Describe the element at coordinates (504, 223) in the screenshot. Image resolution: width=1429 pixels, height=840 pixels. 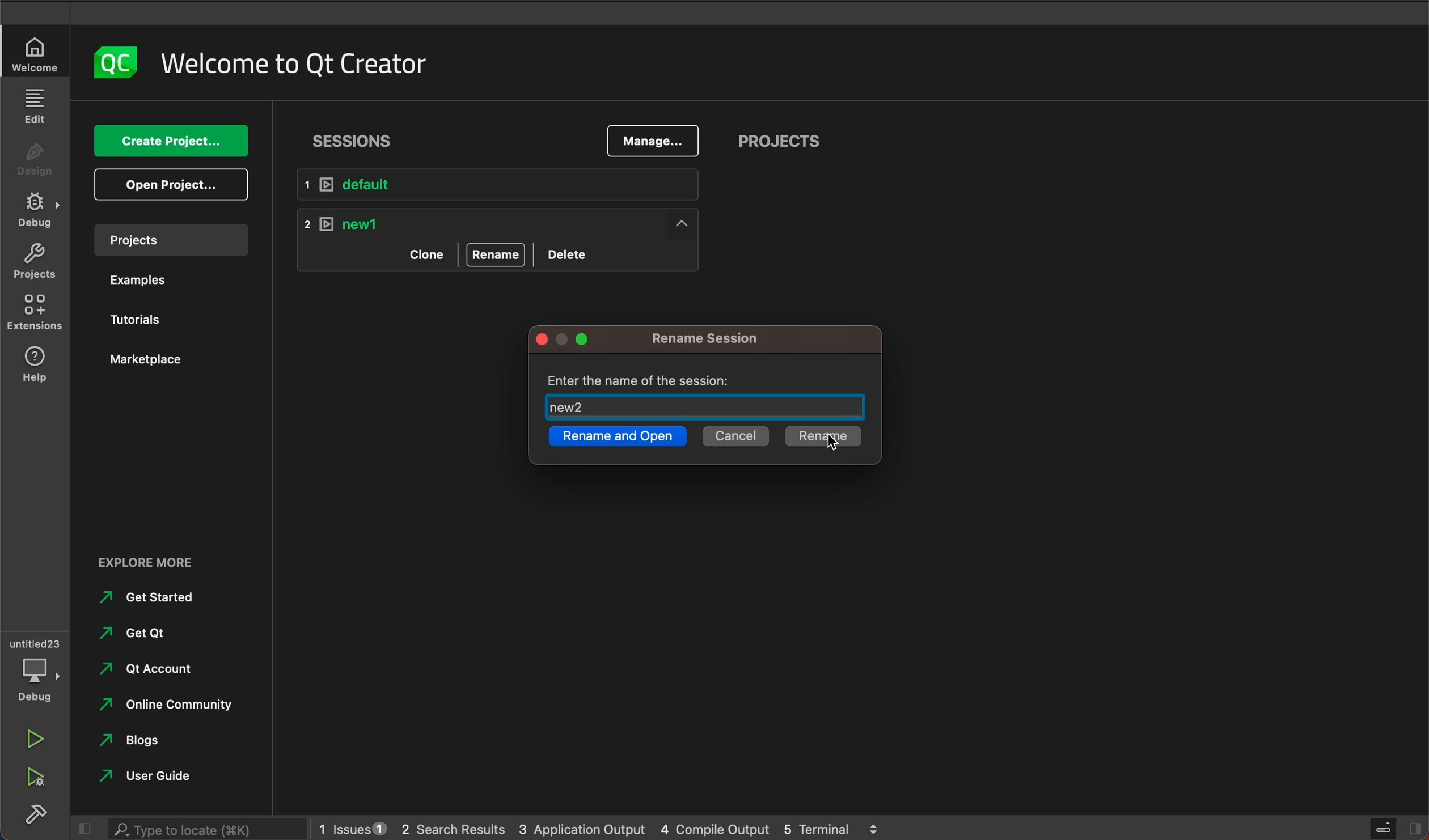
I see `NEW` at that location.